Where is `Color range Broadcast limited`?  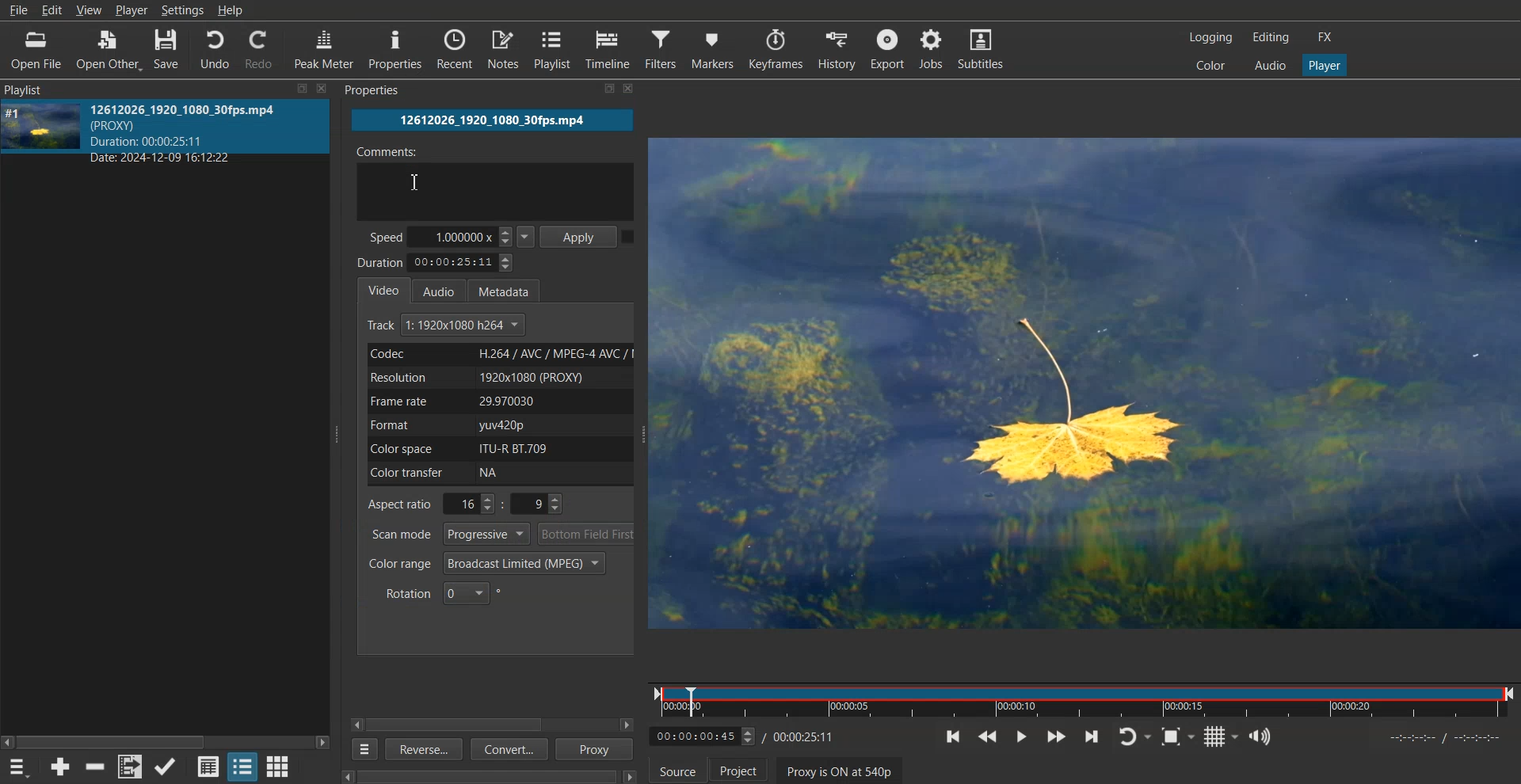 Color range Broadcast limited is located at coordinates (486, 563).